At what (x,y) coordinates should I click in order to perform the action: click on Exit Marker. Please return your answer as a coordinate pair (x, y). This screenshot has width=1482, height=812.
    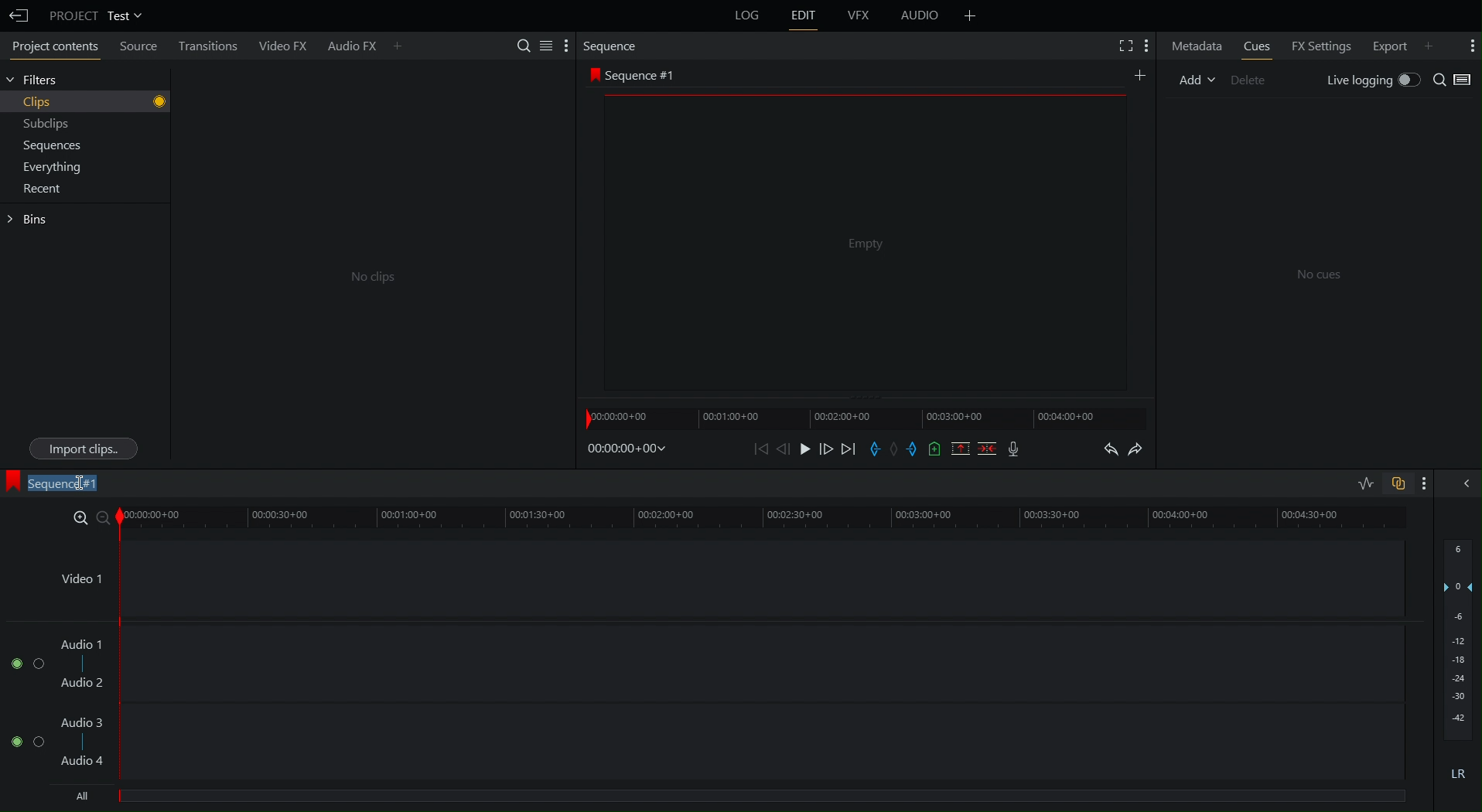
    Looking at the image, I should click on (916, 449).